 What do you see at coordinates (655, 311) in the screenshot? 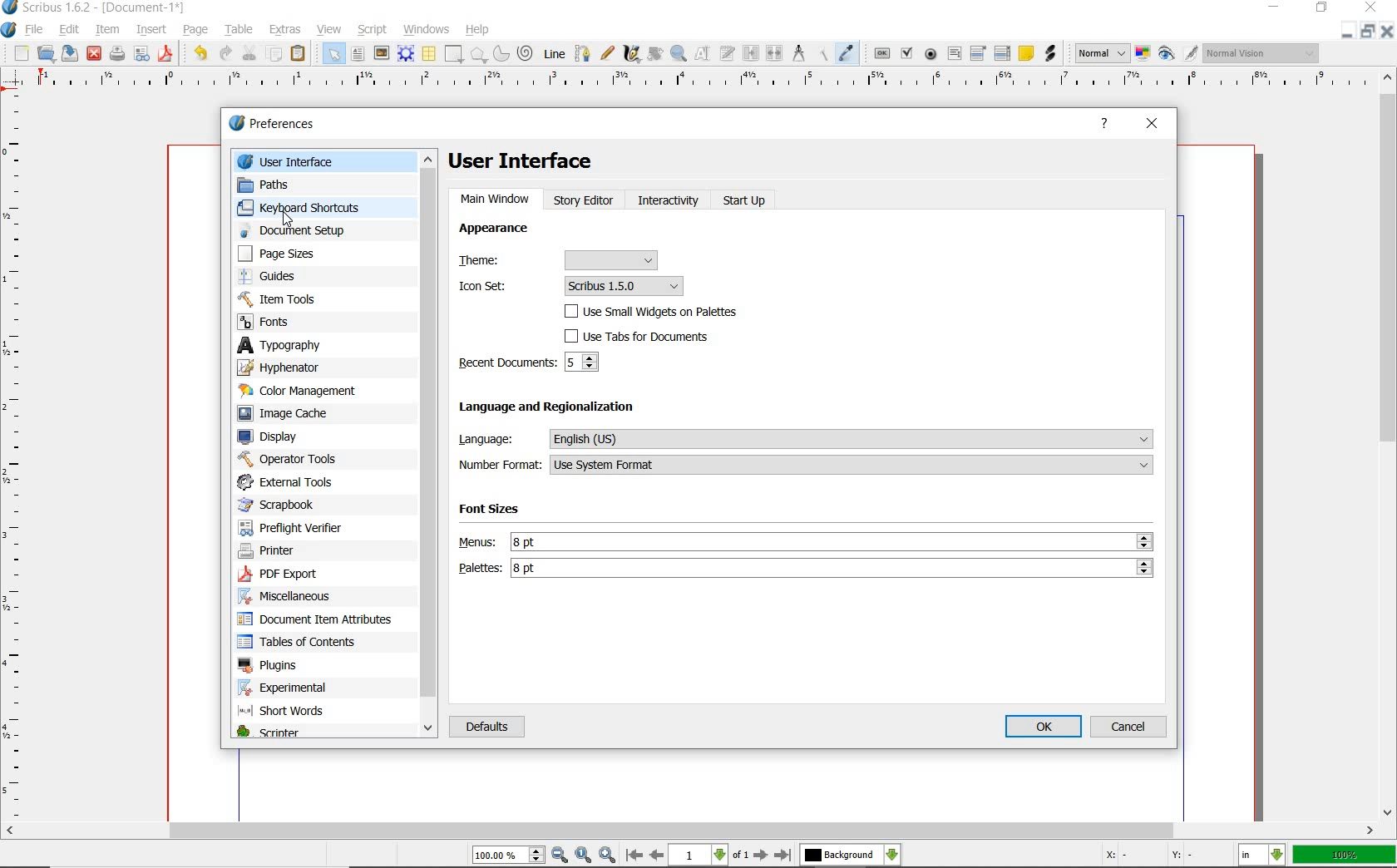
I see `use small widgets on palettes` at bounding box center [655, 311].